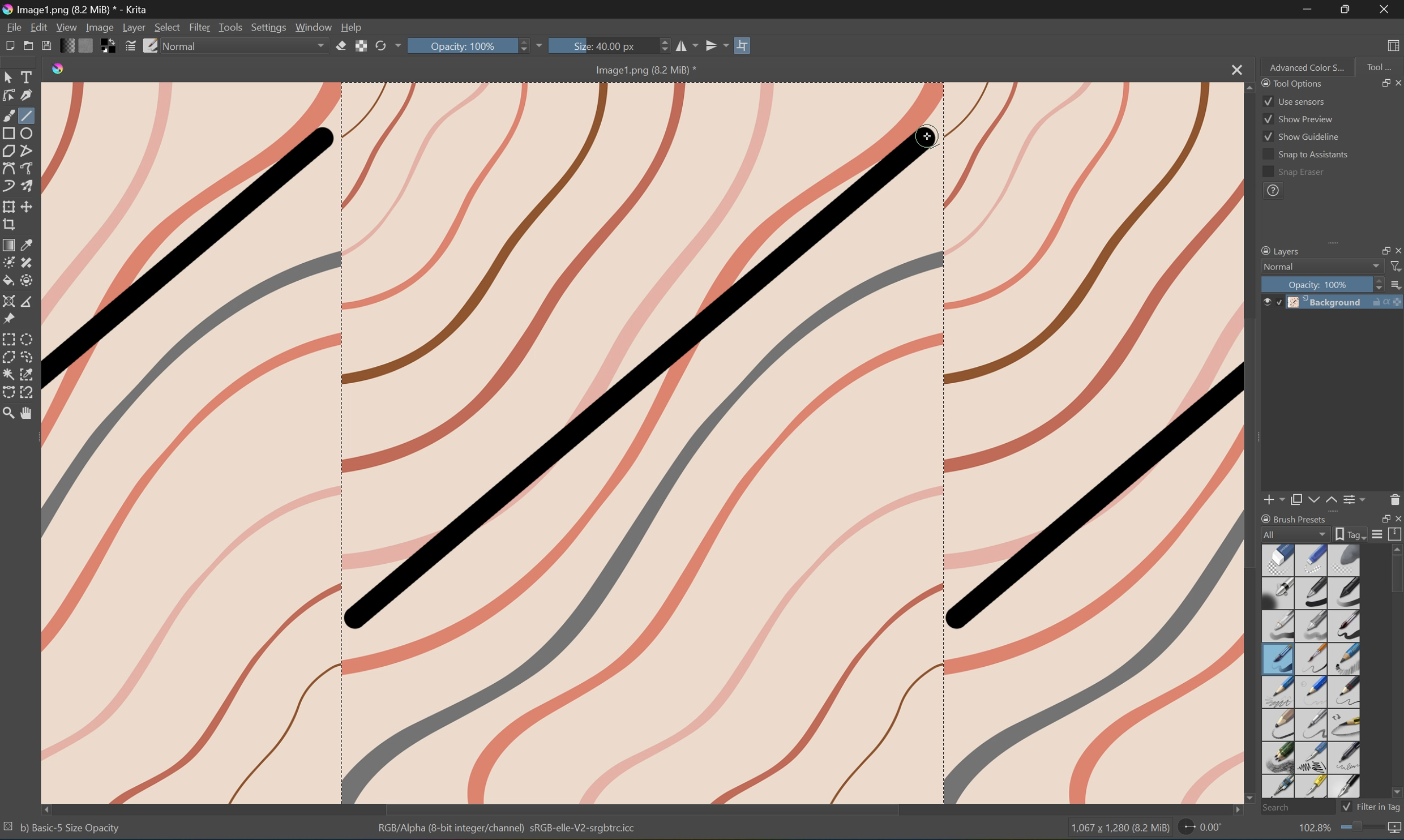 This screenshot has height=840, width=1404. I want to click on Vertical Mirror tool, so click(716, 44).